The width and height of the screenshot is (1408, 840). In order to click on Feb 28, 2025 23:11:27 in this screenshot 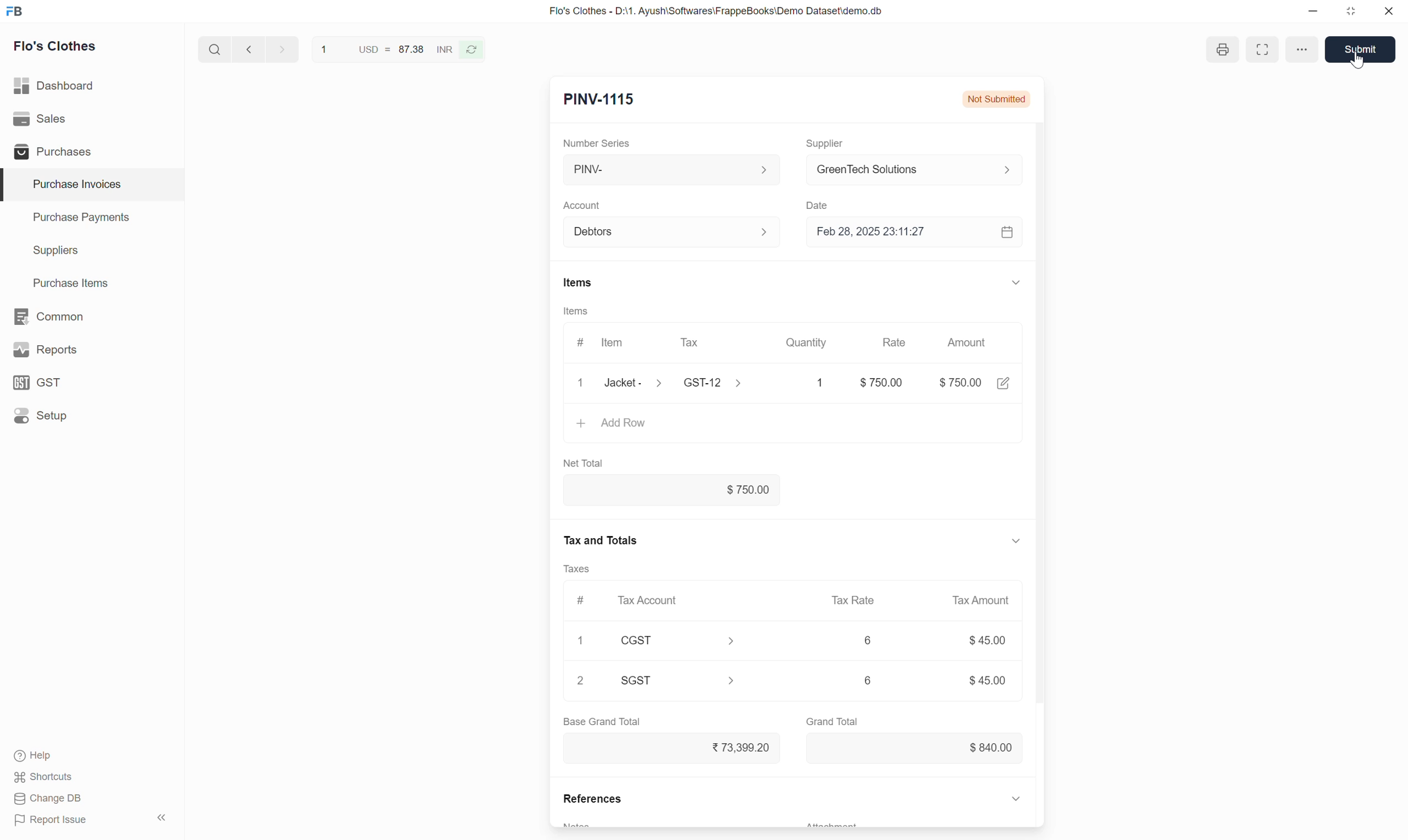, I will do `click(902, 232)`.